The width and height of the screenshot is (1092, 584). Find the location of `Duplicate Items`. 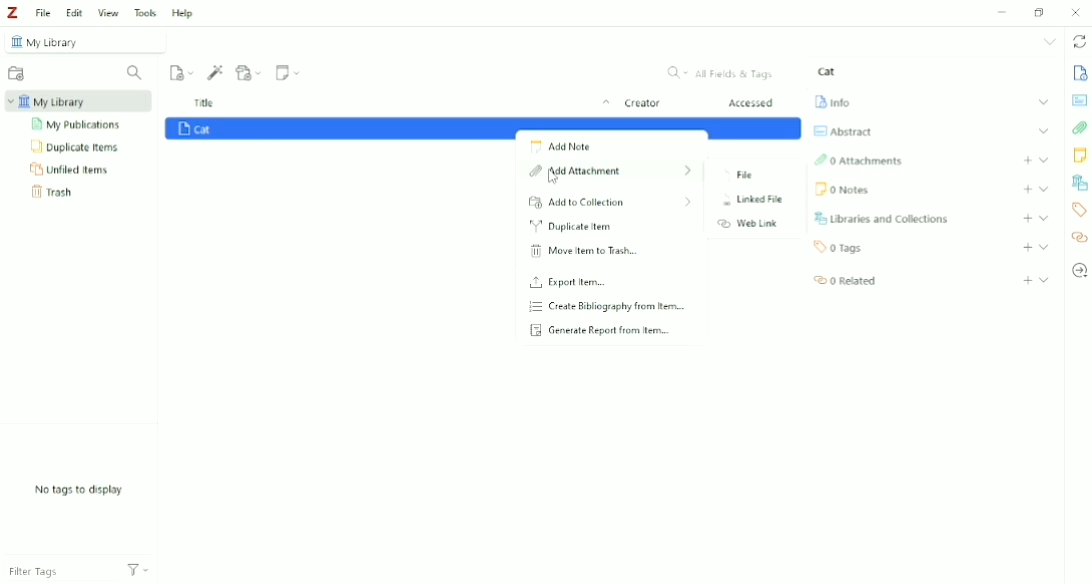

Duplicate Items is located at coordinates (76, 146).